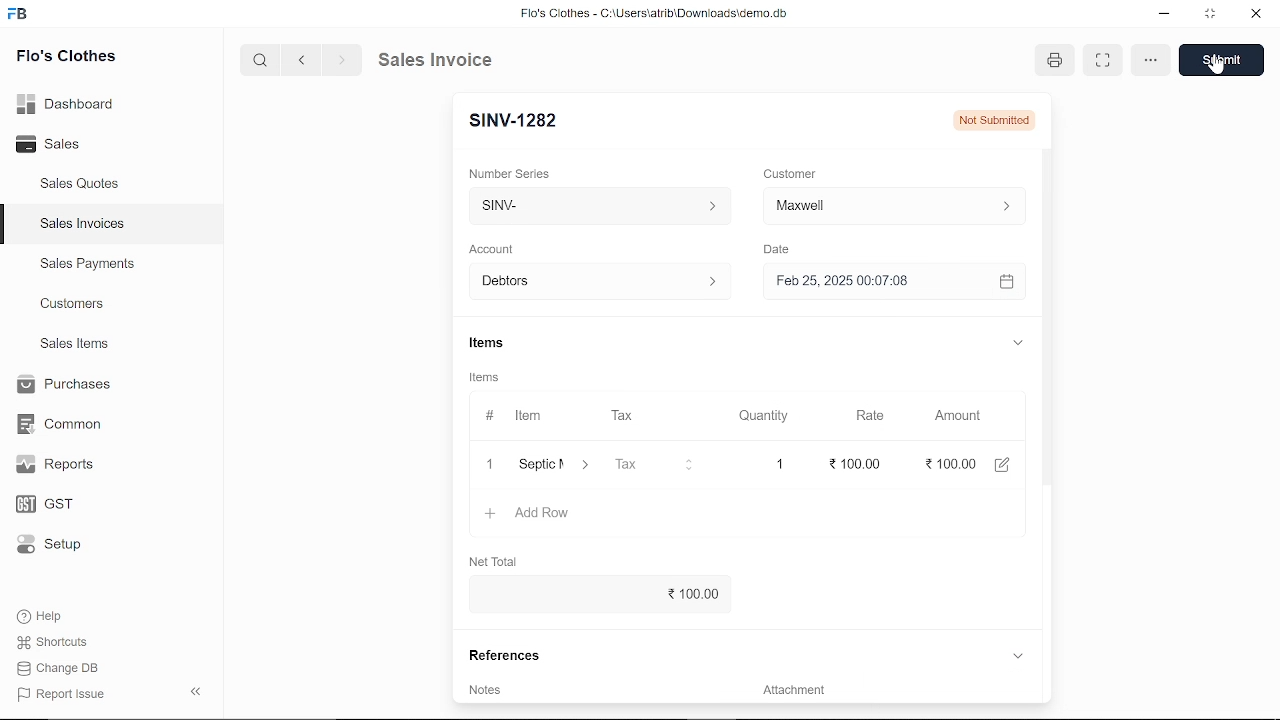 The height and width of the screenshot is (720, 1280). What do you see at coordinates (623, 417) in the screenshot?
I see `Tax` at bounding box center [623, 417].